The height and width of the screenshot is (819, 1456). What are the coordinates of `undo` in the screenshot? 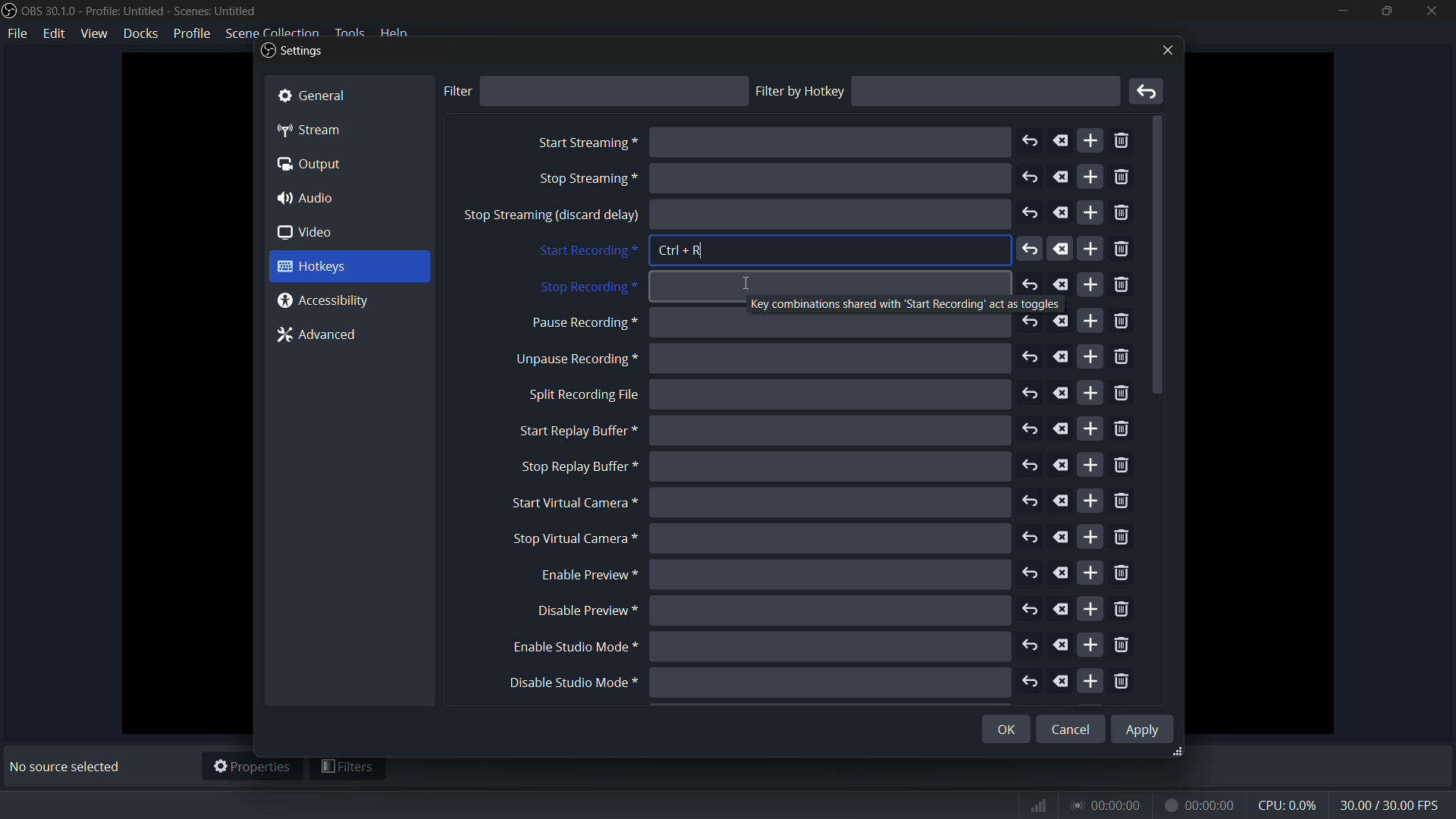 It's located at (1031, 501).